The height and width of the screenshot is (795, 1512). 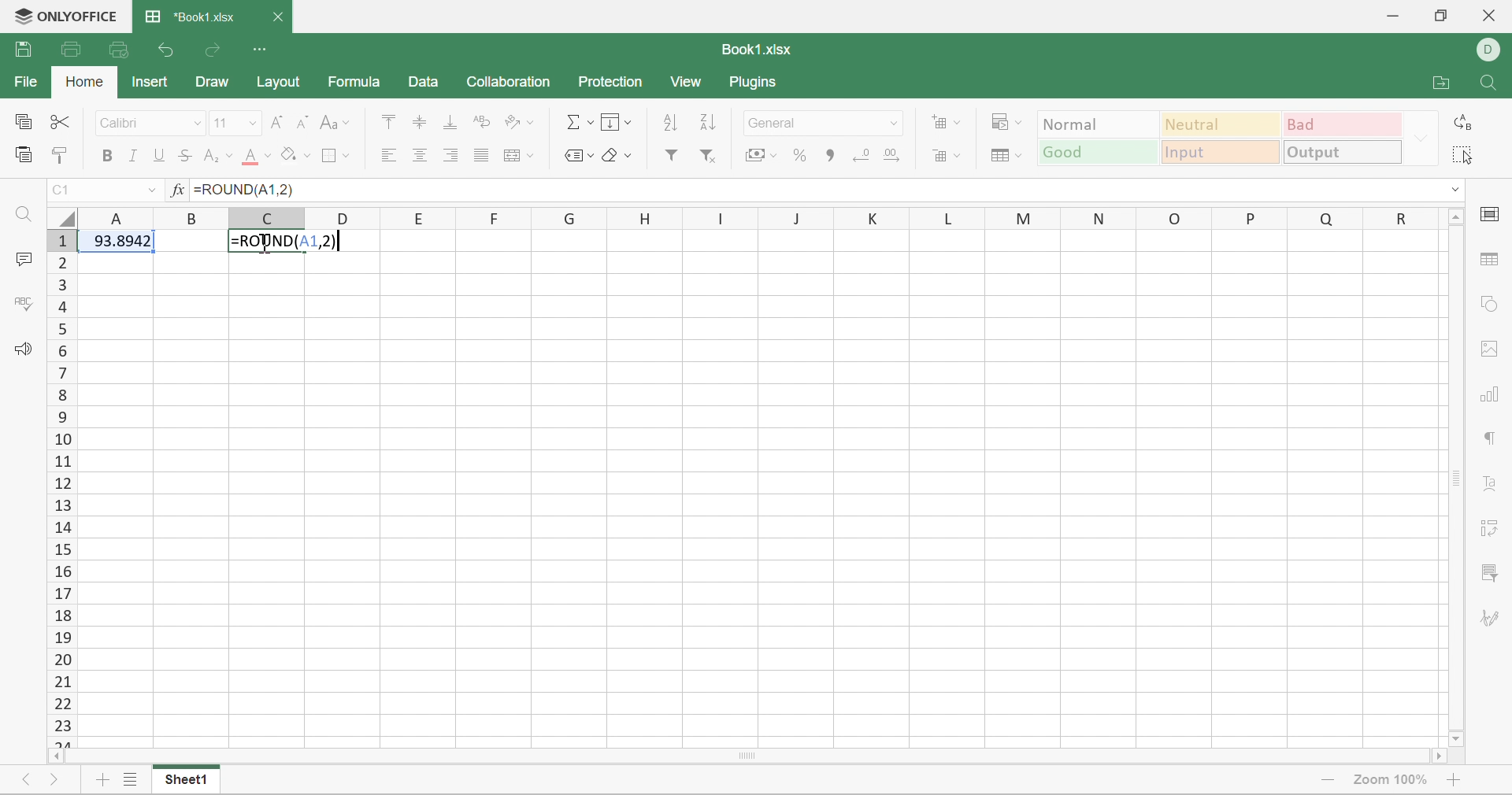 I want to click on Strikethrough, so click(x=187, y=154).